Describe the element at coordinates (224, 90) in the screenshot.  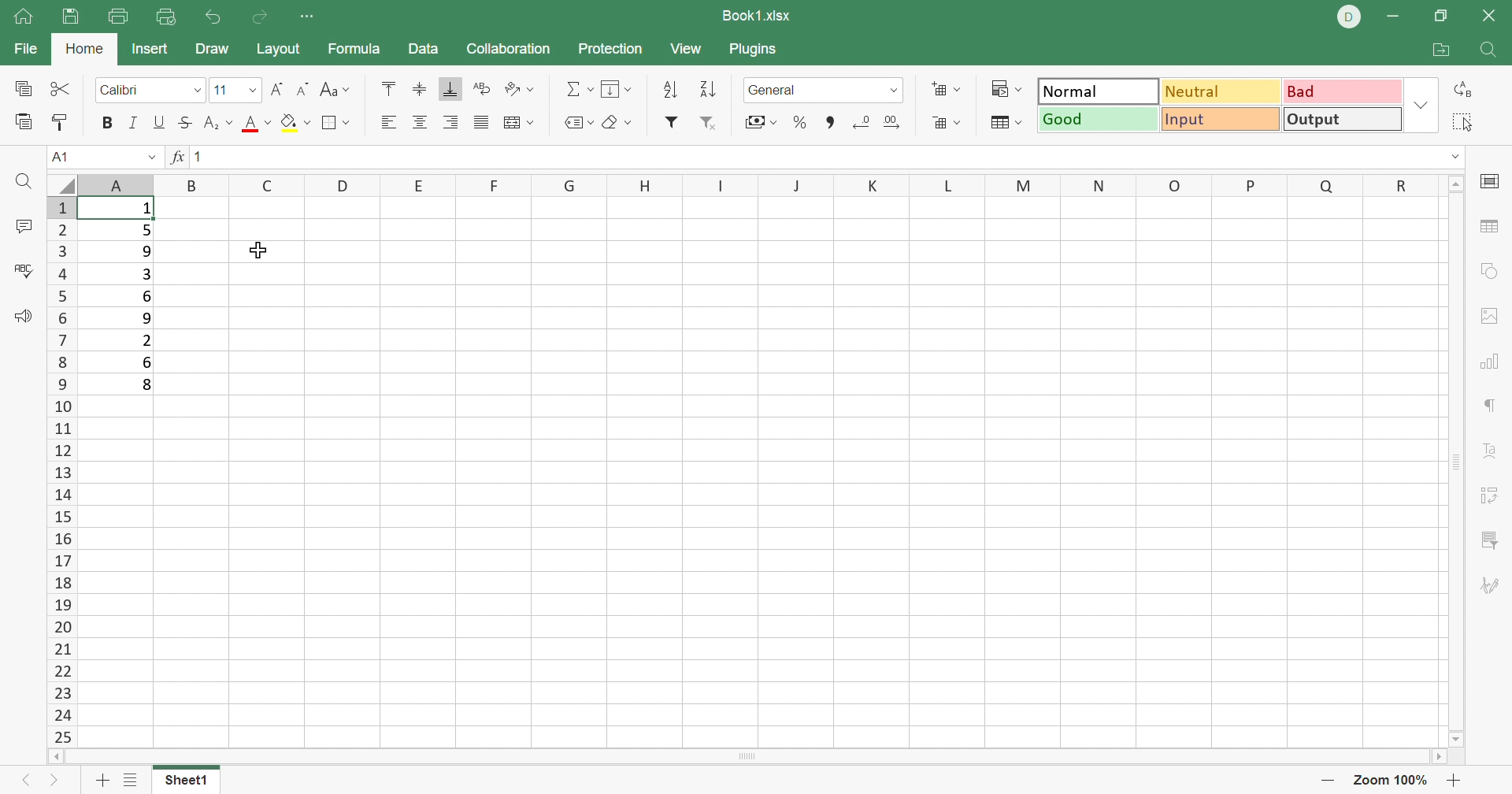
I see `font size` at that location.